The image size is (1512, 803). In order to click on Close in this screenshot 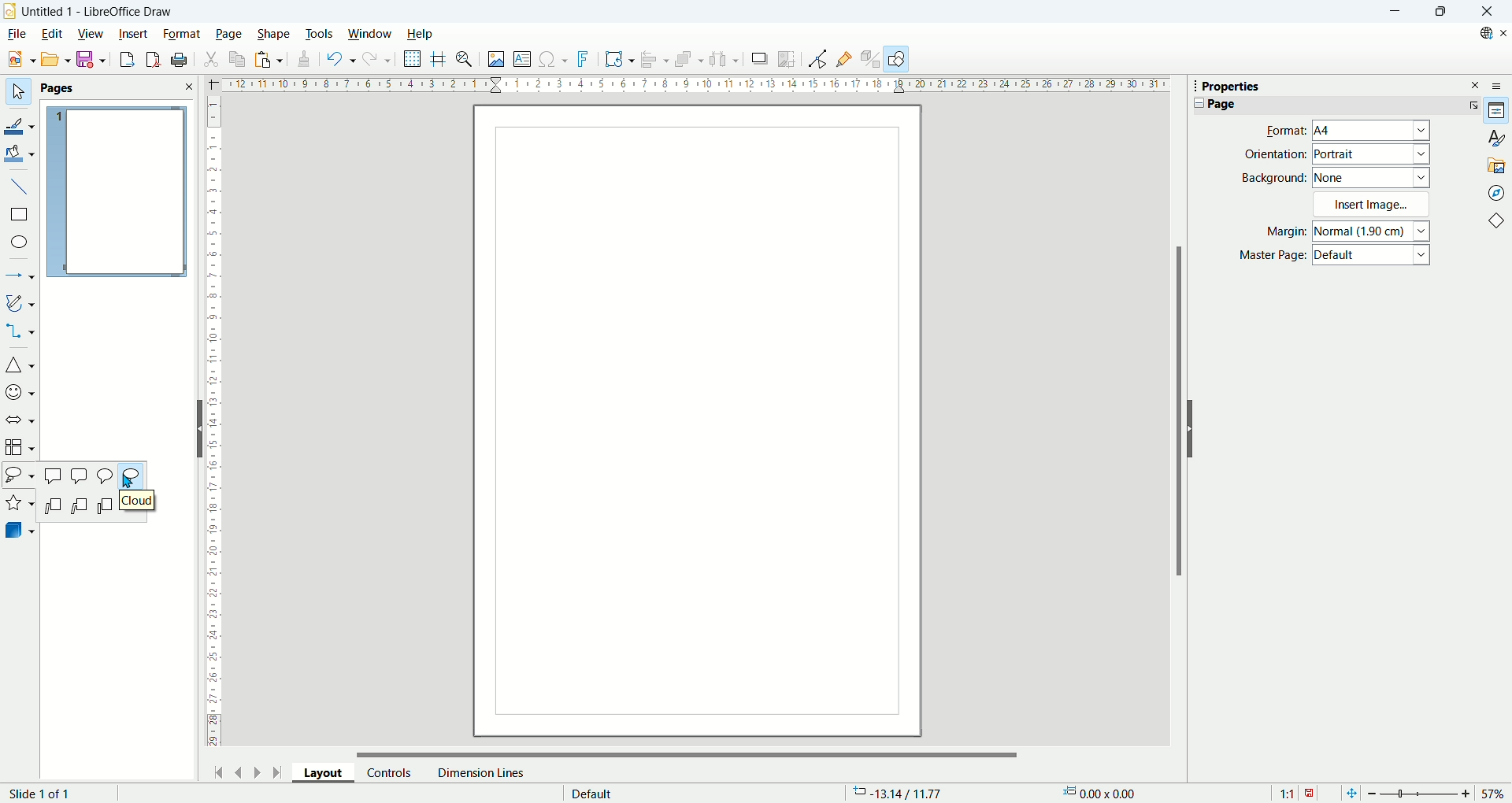, I will do `click(1487, 12)`.